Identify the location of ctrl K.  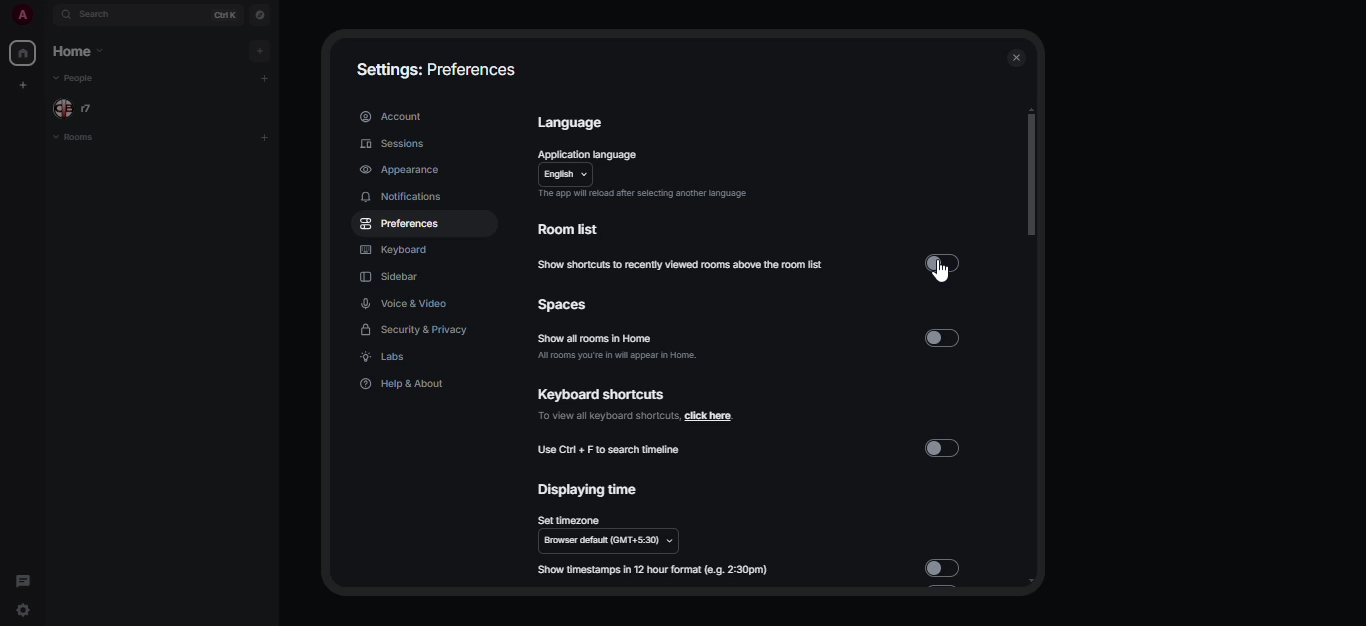
(225, 14).